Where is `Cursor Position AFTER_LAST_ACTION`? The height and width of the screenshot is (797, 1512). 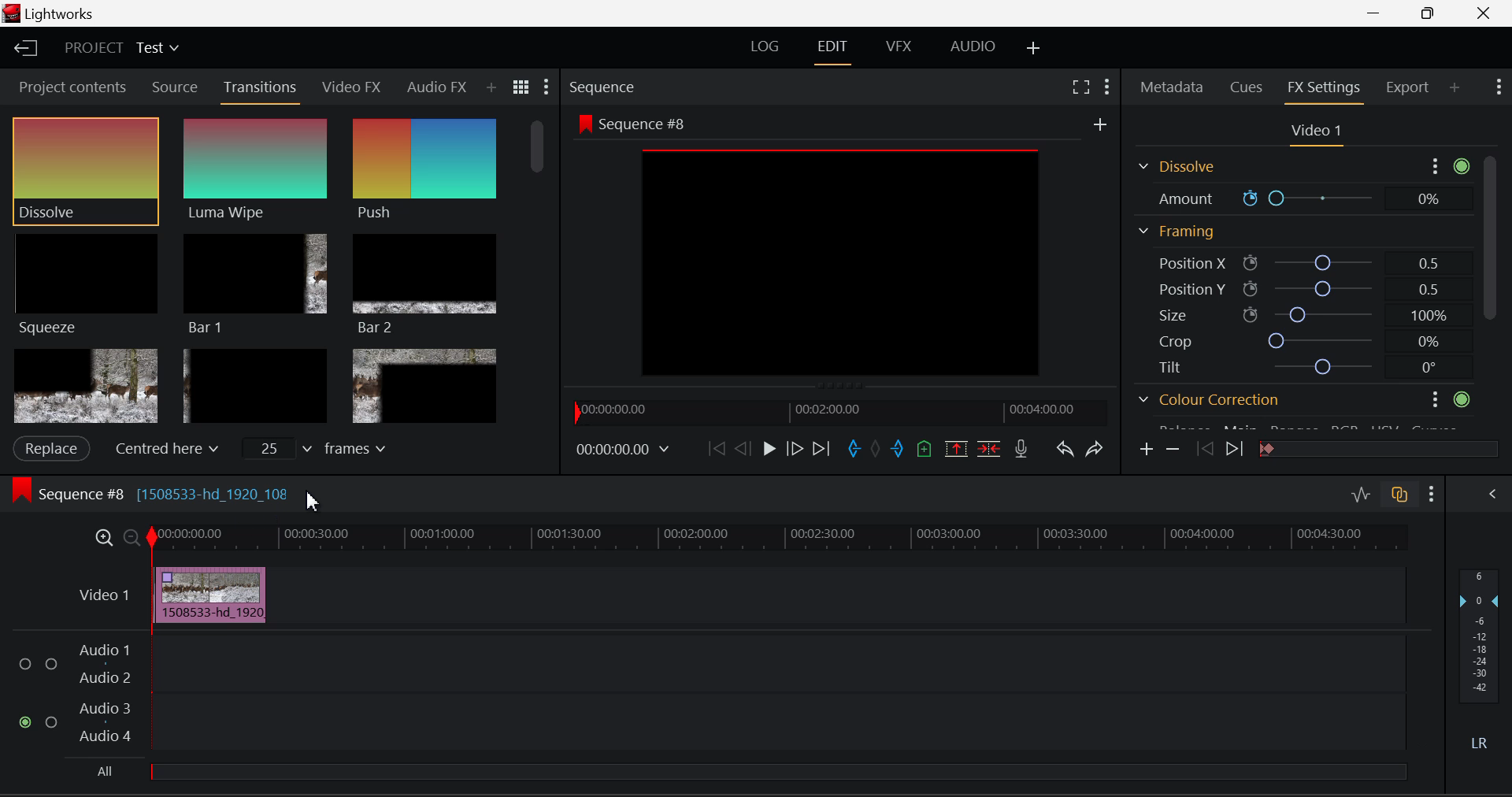 Cursor Position AFTER_LAST_ACTION is located at coordinates (317, 506).